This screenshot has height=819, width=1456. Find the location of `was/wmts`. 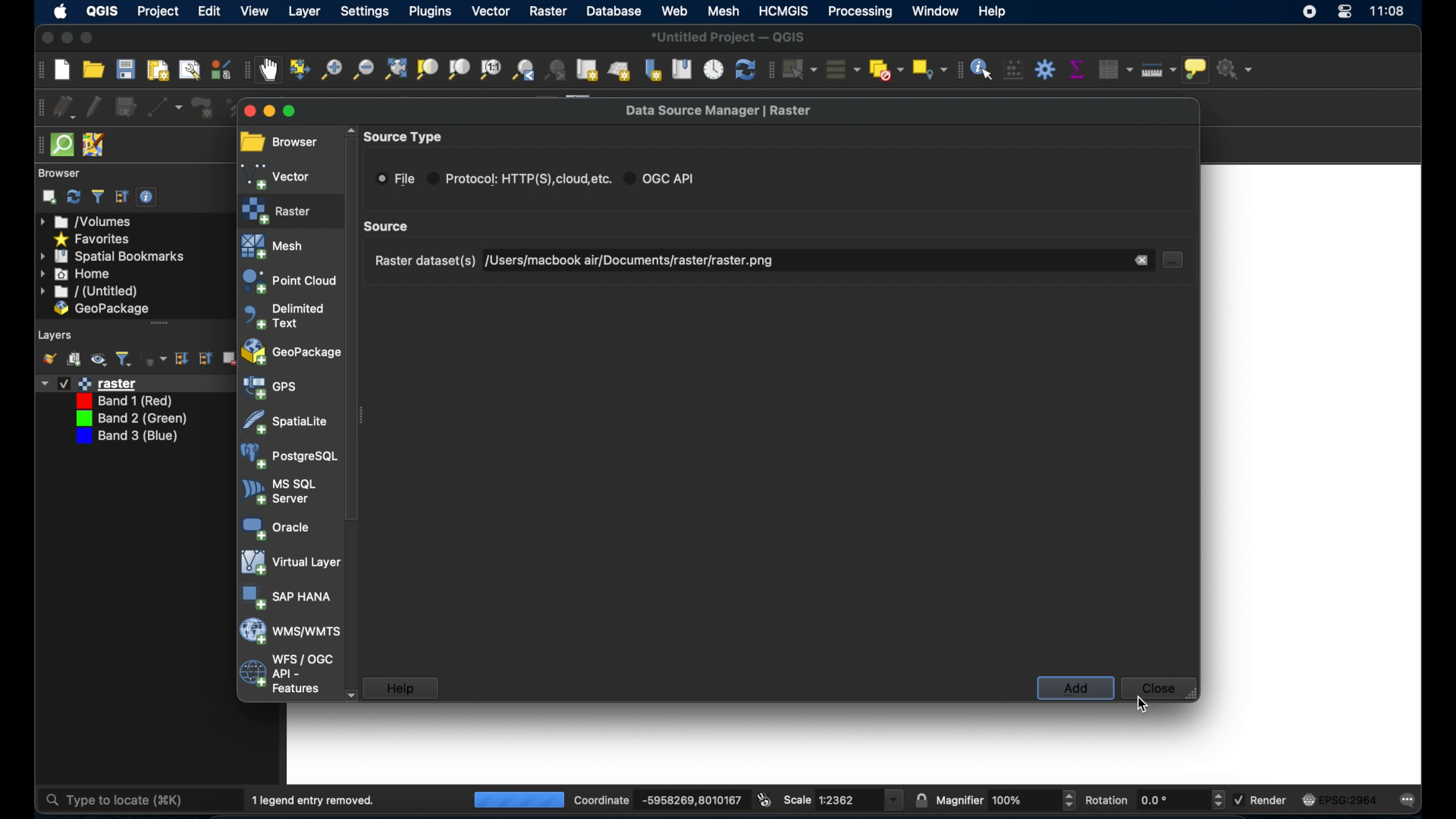

was/wmts is located at coordinates (292, 631).